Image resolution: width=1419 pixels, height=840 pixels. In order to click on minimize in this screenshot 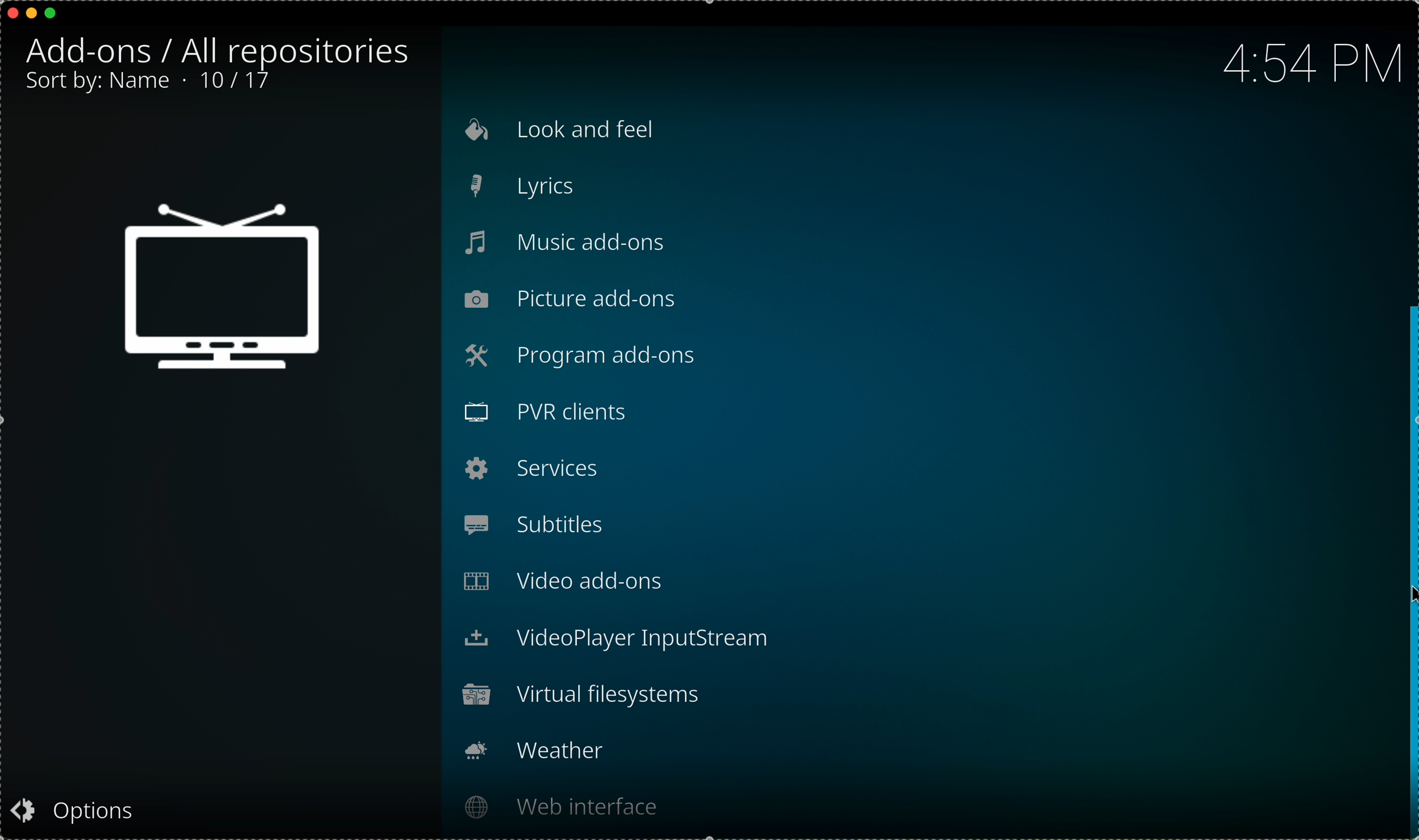, I will do `click(33, 13)`.